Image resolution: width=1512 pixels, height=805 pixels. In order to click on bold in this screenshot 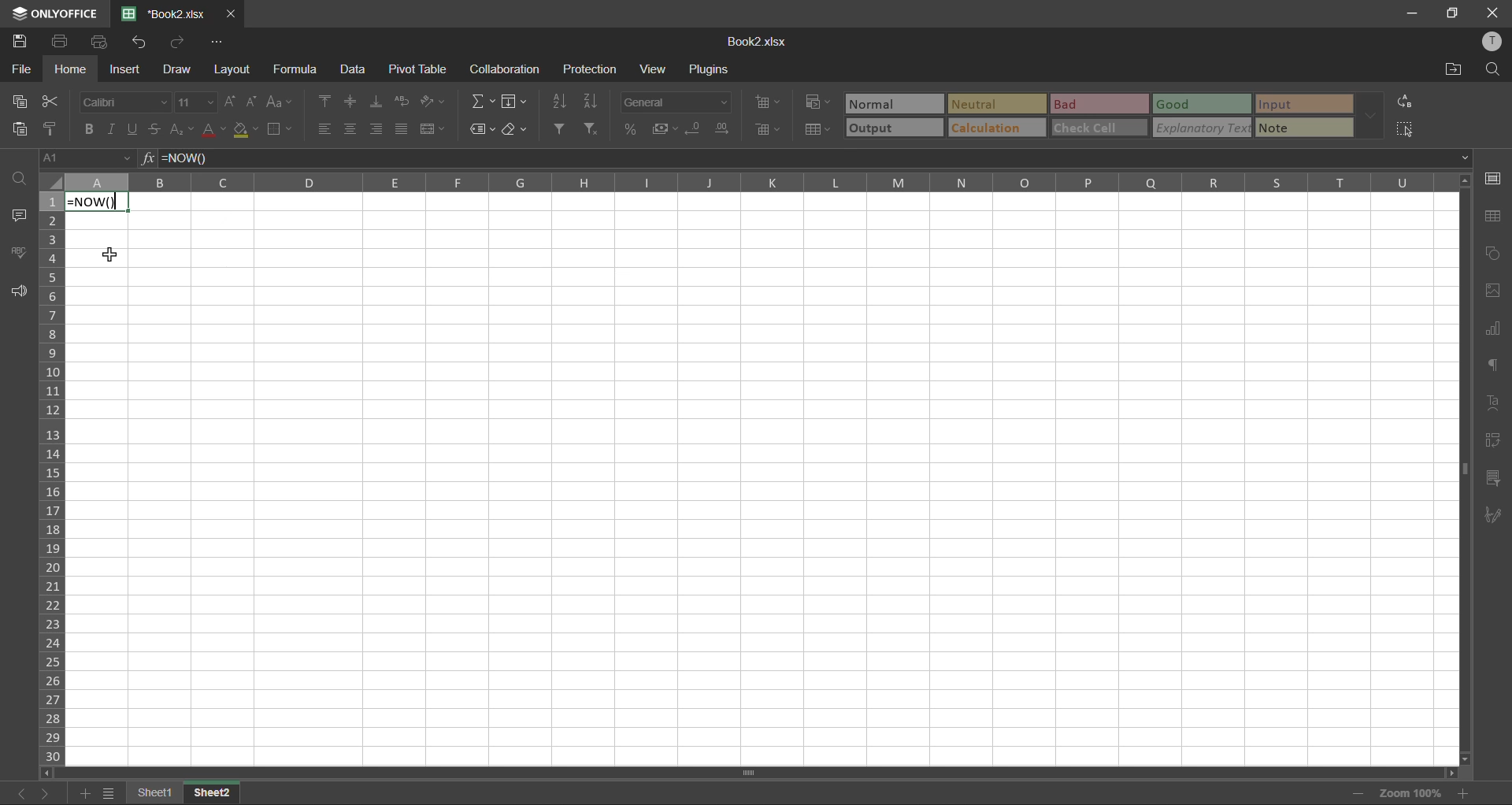, I will do `click(91, 128)`.